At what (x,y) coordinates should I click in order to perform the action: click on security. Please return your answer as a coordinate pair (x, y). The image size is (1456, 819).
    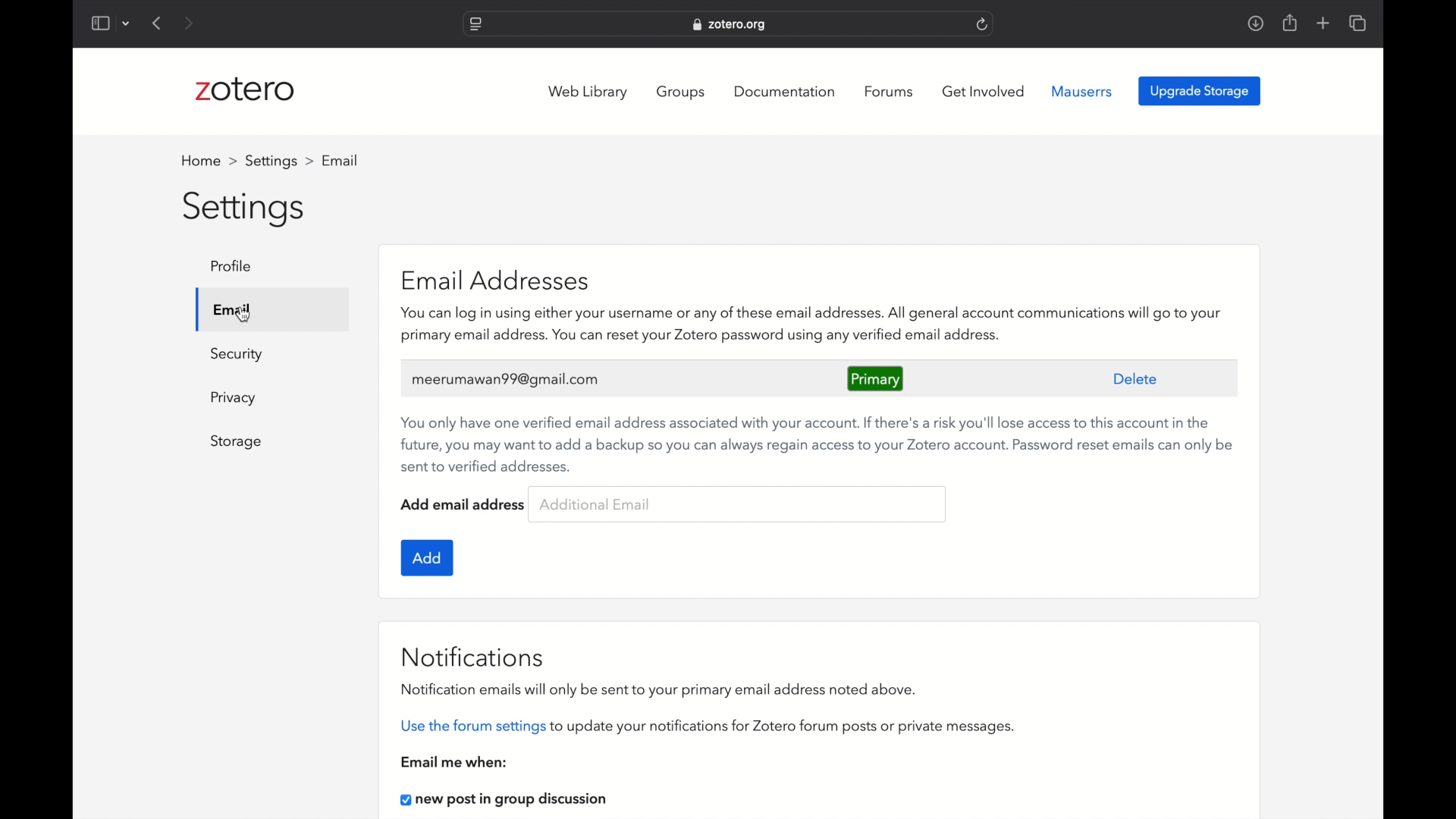
    Looking at the image, I should click on (236, 355).